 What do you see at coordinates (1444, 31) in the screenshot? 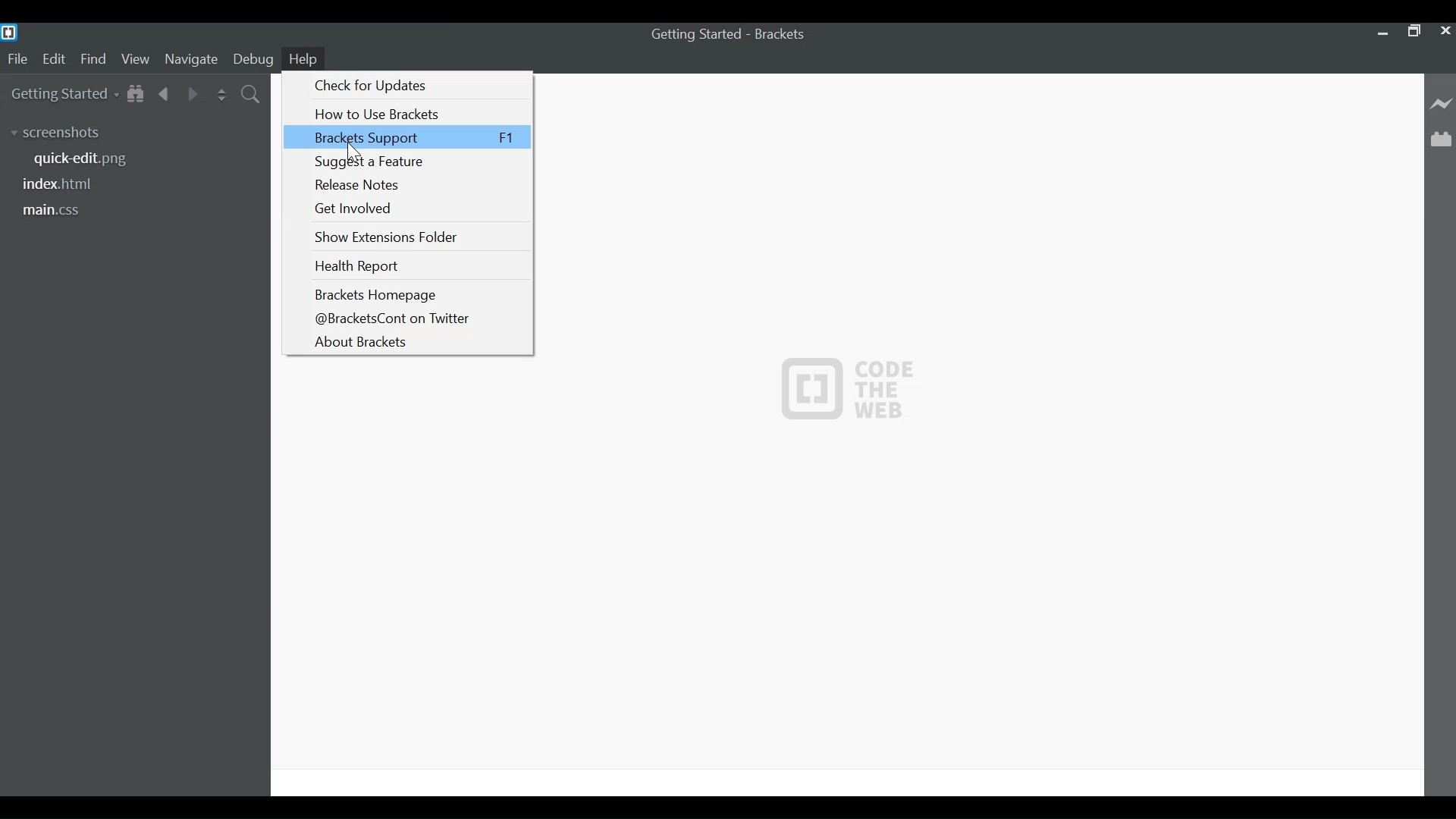
I see `Close` at bounding box center [1444, 31].